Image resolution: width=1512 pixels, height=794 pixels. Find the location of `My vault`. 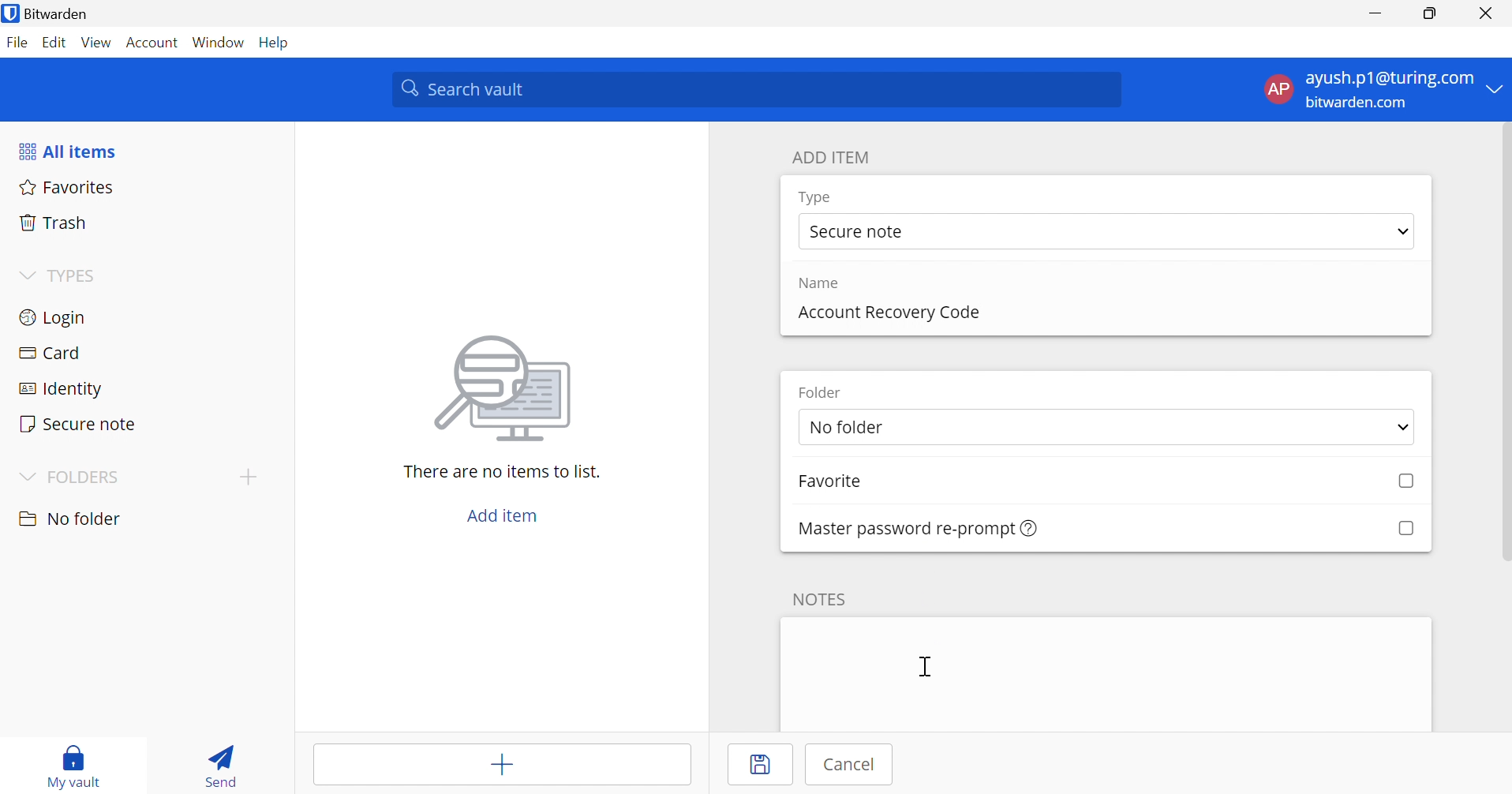

My vault is located at coordinates (80, 755).